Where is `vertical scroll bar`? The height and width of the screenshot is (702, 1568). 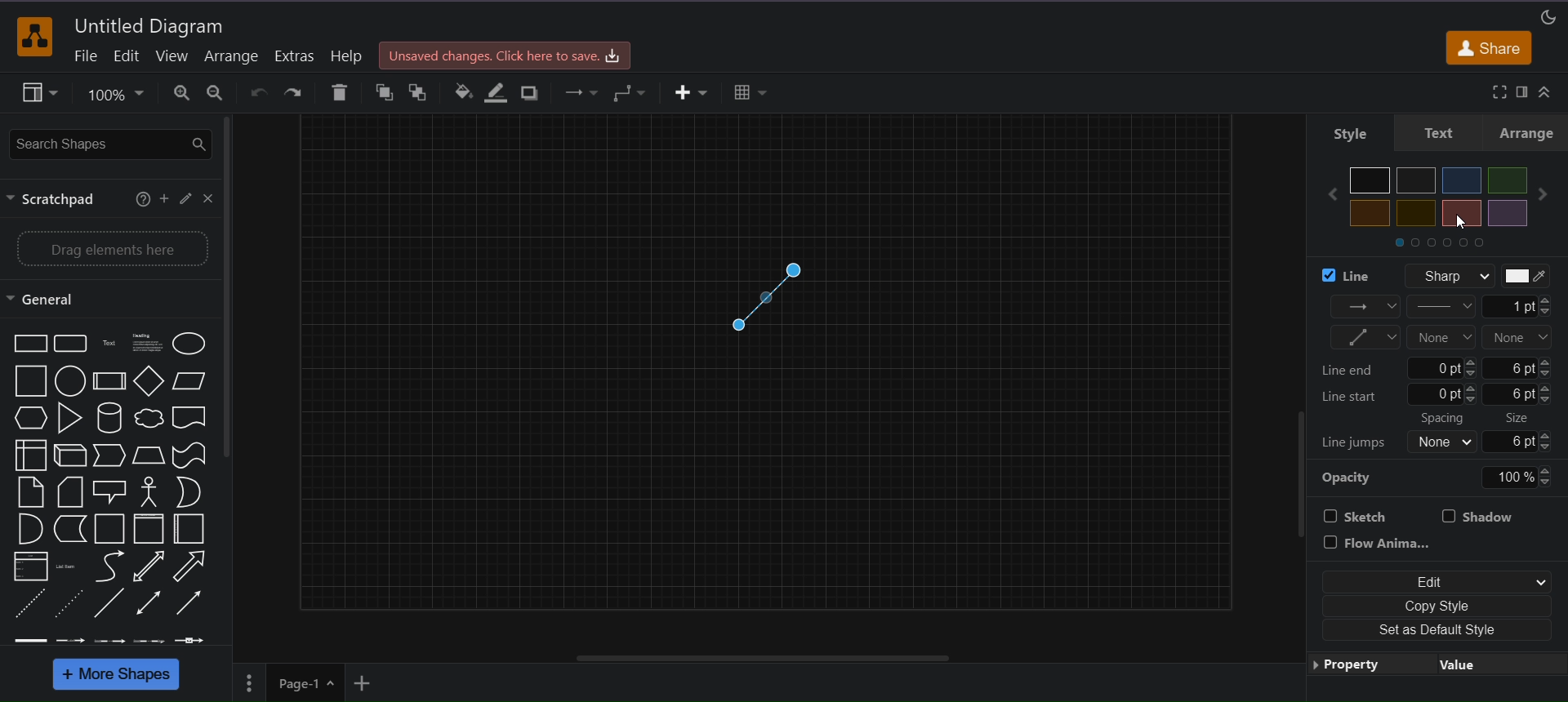 vertical scroll bar is located at coordinates (232, 291).